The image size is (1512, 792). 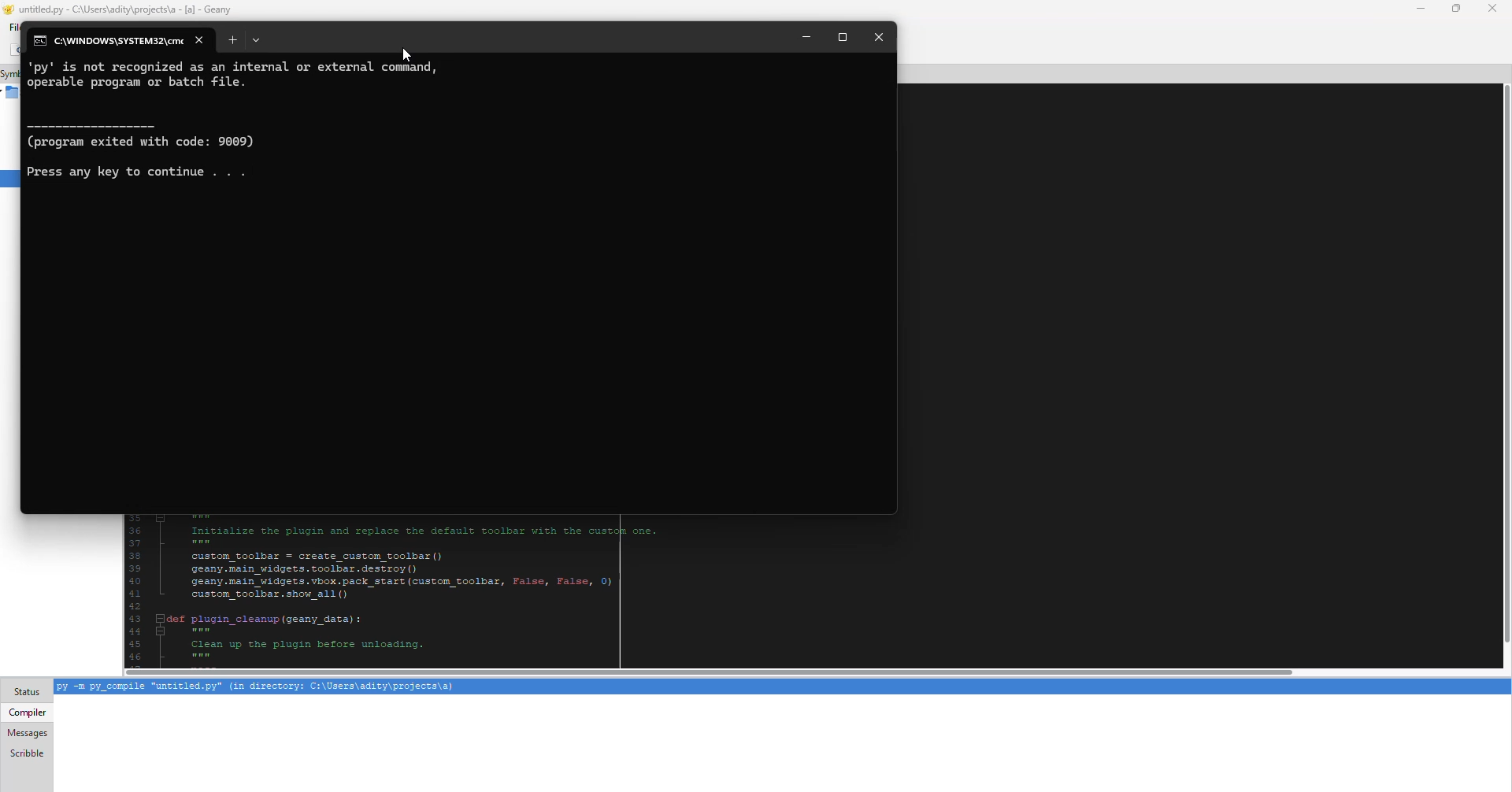 What do you see at coordinates (111, 43) in the screenshot?
I see `cmd` at bounding box center [111, 43].